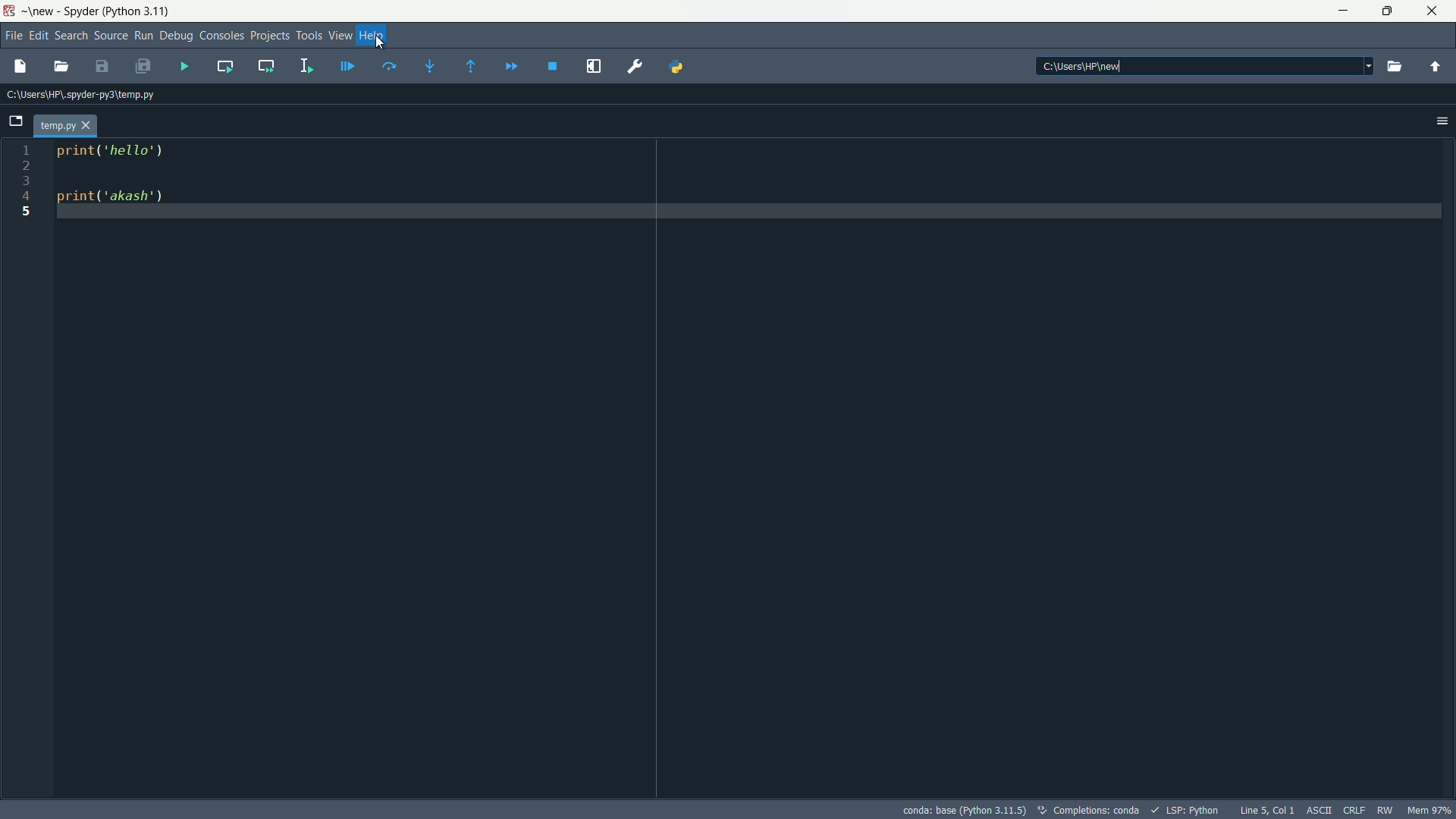 Image resolution: width=1456 pixels, height=819 pixels. What do you see at coordinates (1436, 11) in the screenshot?
I see `close` at bounding box center [1436, 11].